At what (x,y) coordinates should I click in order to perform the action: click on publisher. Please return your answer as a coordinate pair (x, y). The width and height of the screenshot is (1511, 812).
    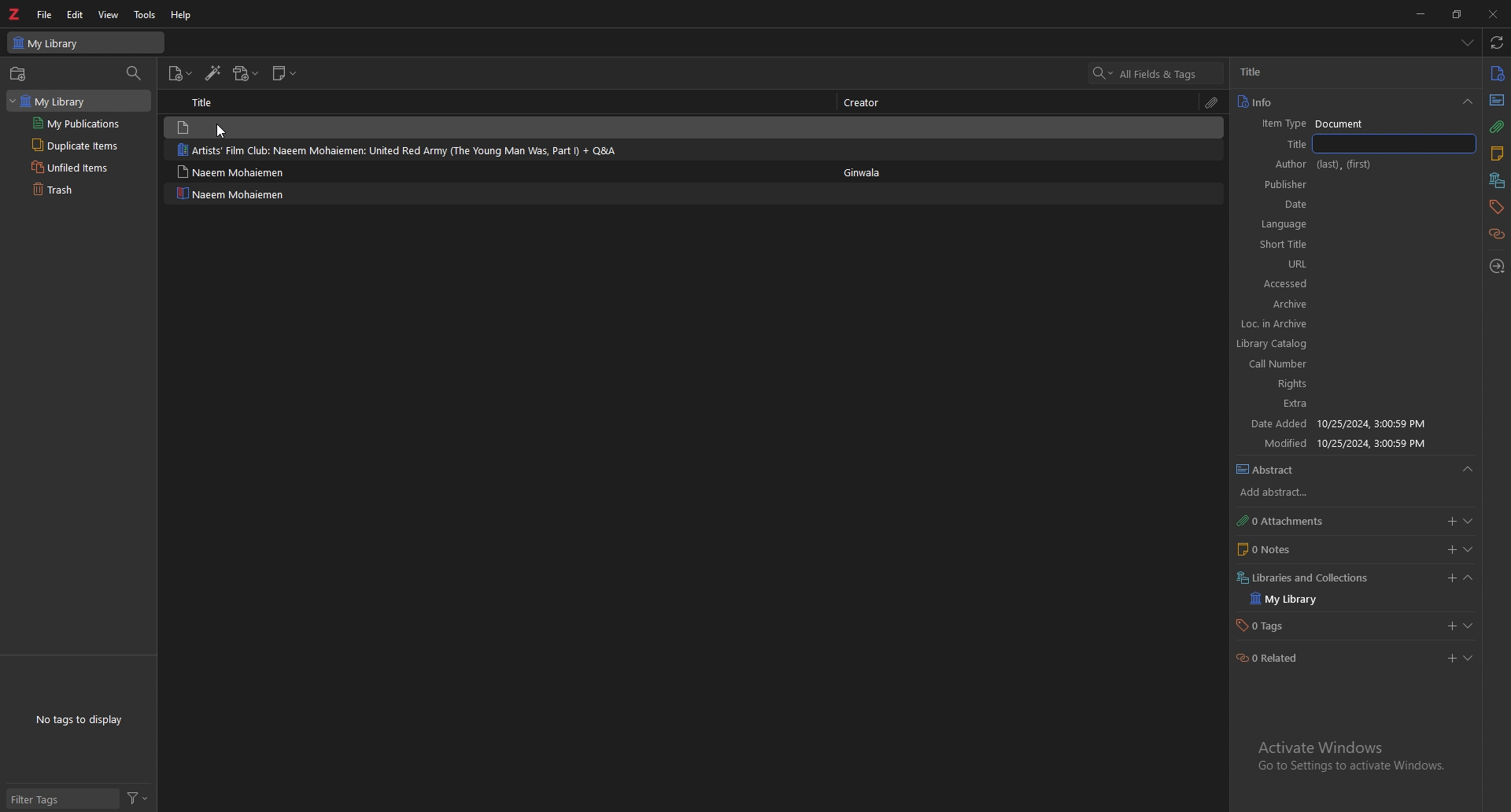
    Looking at the image, I should click on (1277, 325).